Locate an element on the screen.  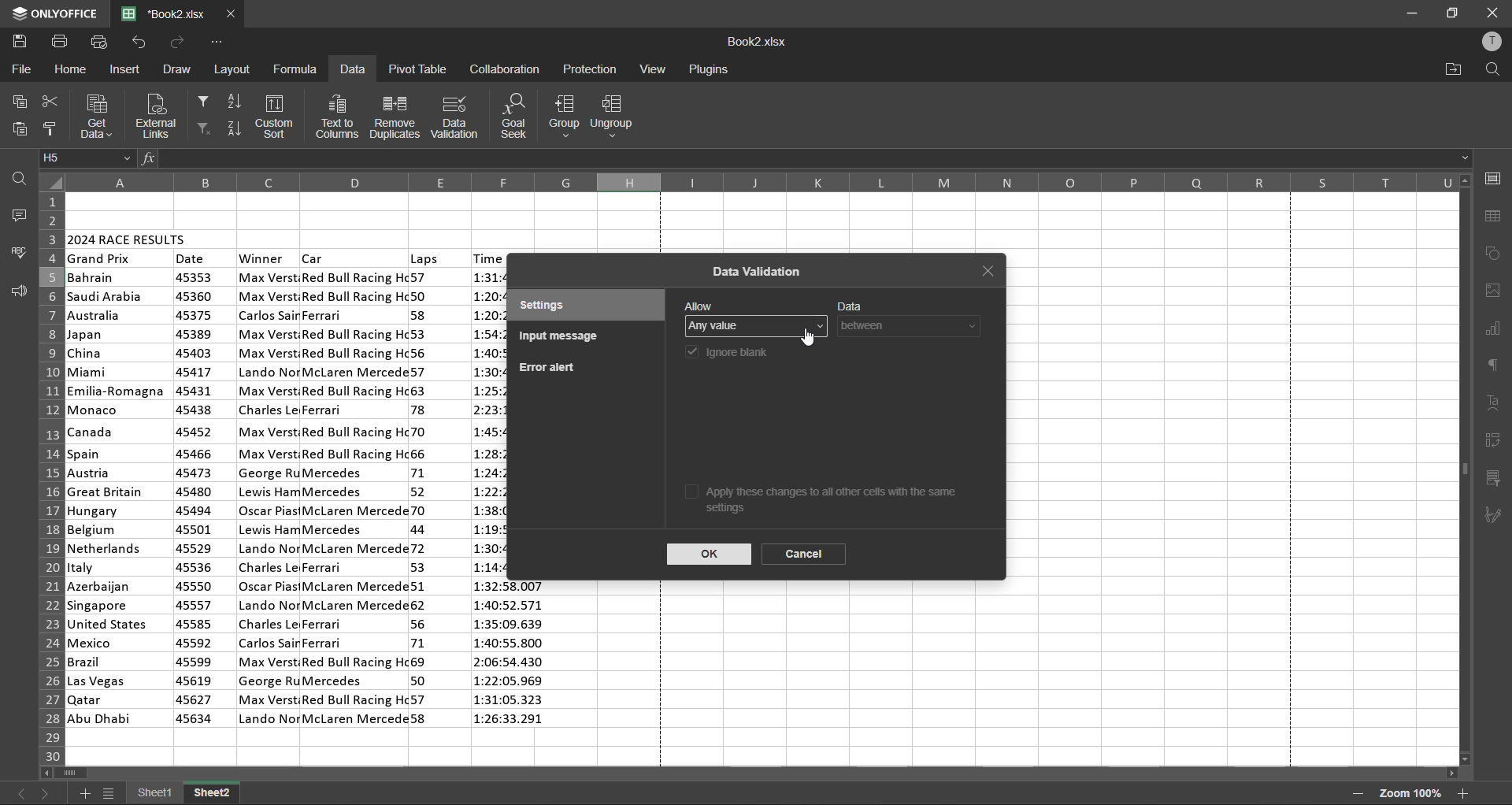
plugins is located at coordinates (708, 70).